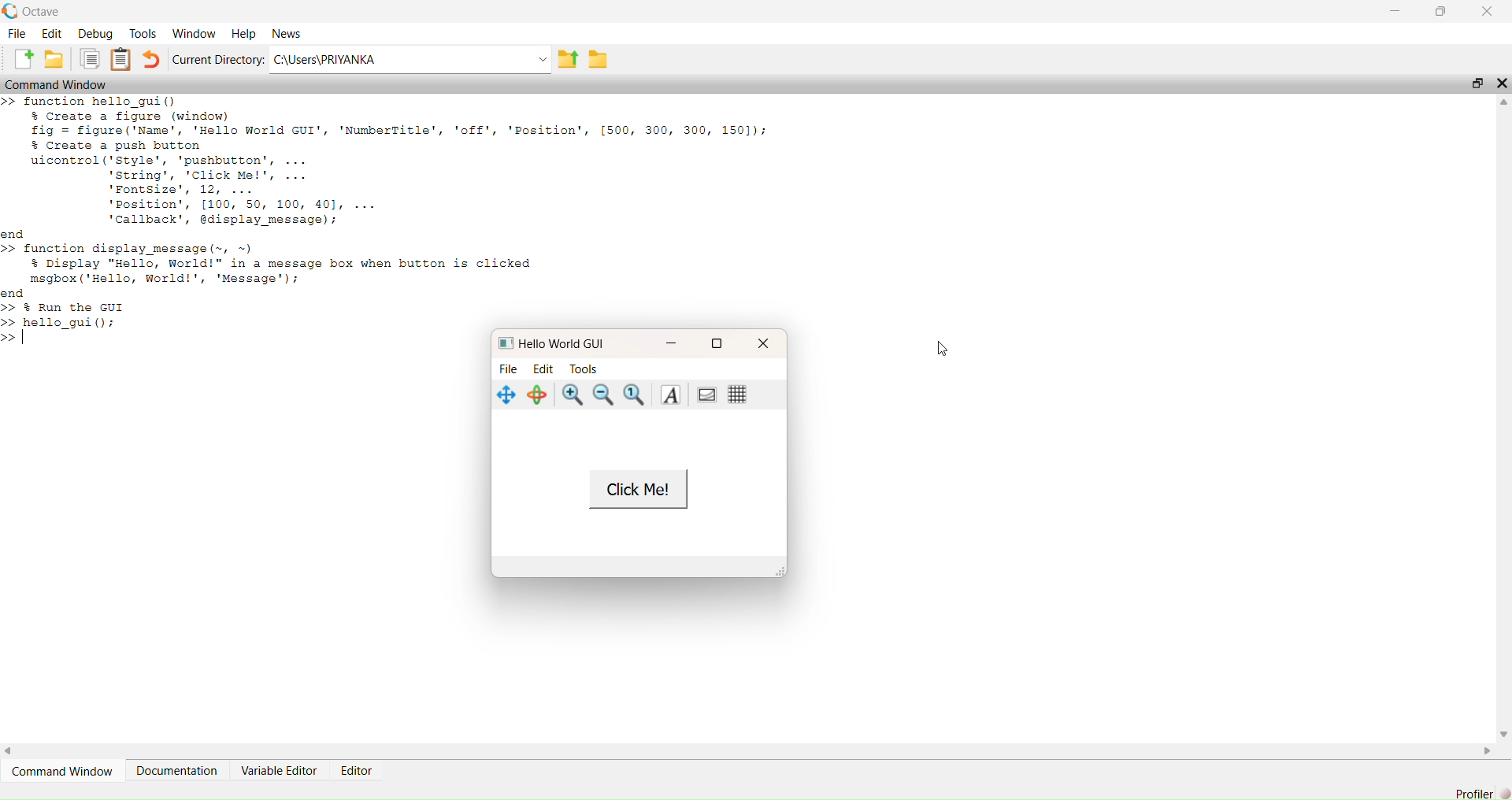  Describe the element at coordinates (383, 213) in the screenshot. I see `EE  —
> function hello_gui()
$ Create a figure (window)
fig = figure ('Name', 'Hello World GUI', 'NumberTitle', 'off', 'Position', [500, 300, 300, 1501);
$ Create a push button
uicontrol('style', 'pushbutton', ...
string’, 'Click Me!', ...
'Fontsize', 12, ...
'Position’, [100, 50, 100, 401, ...
callback’, display message);
nd
> function display message (~, ~)
$ Display "Hello, World!" in a message box when button is clicked
msgbox ('Hello, World!', 'Message');
nd
> % Run the GUI
> hello guil():` at that location.